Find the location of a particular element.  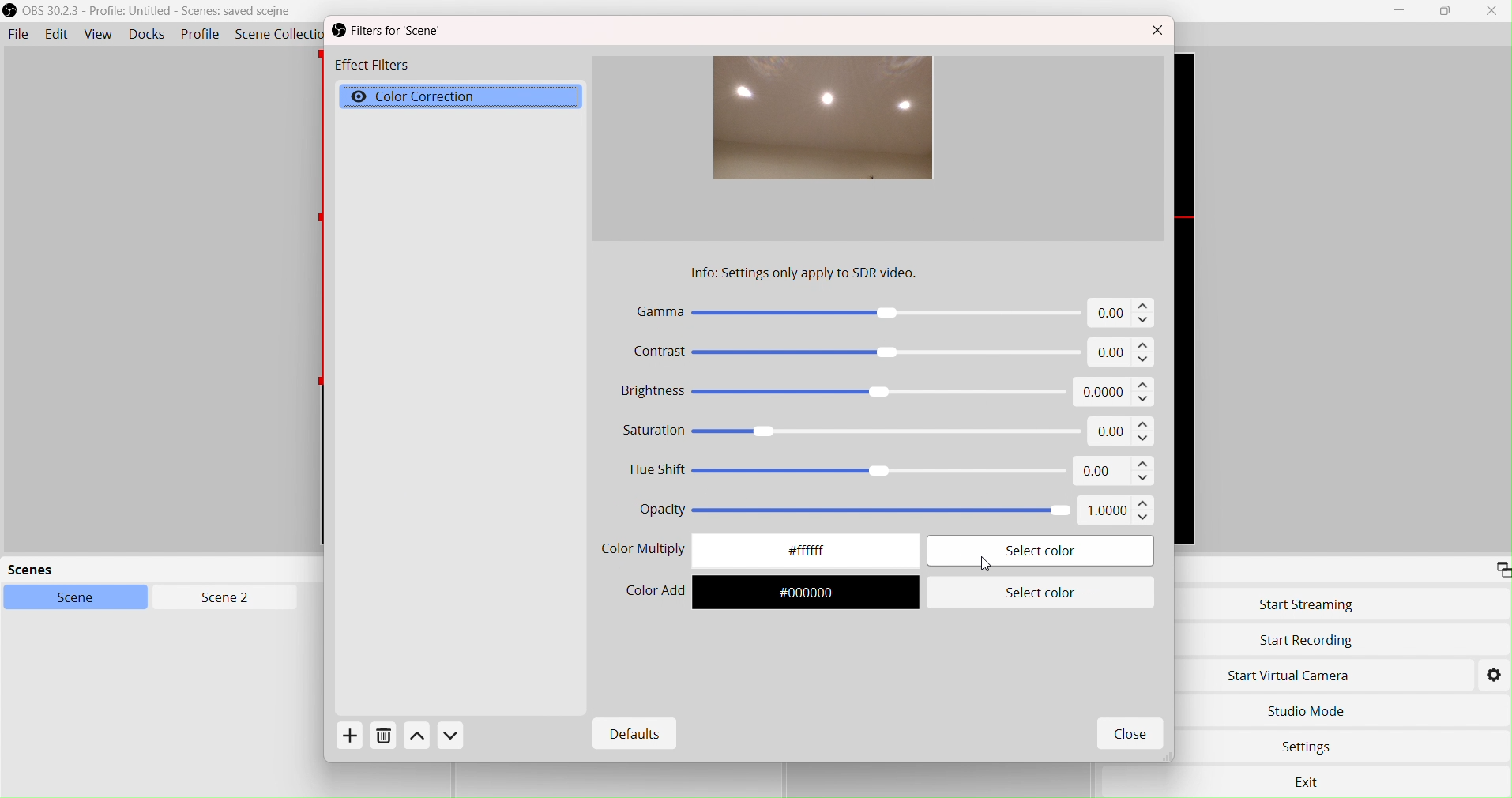

 Select color is located at coordinates (1040, 590).